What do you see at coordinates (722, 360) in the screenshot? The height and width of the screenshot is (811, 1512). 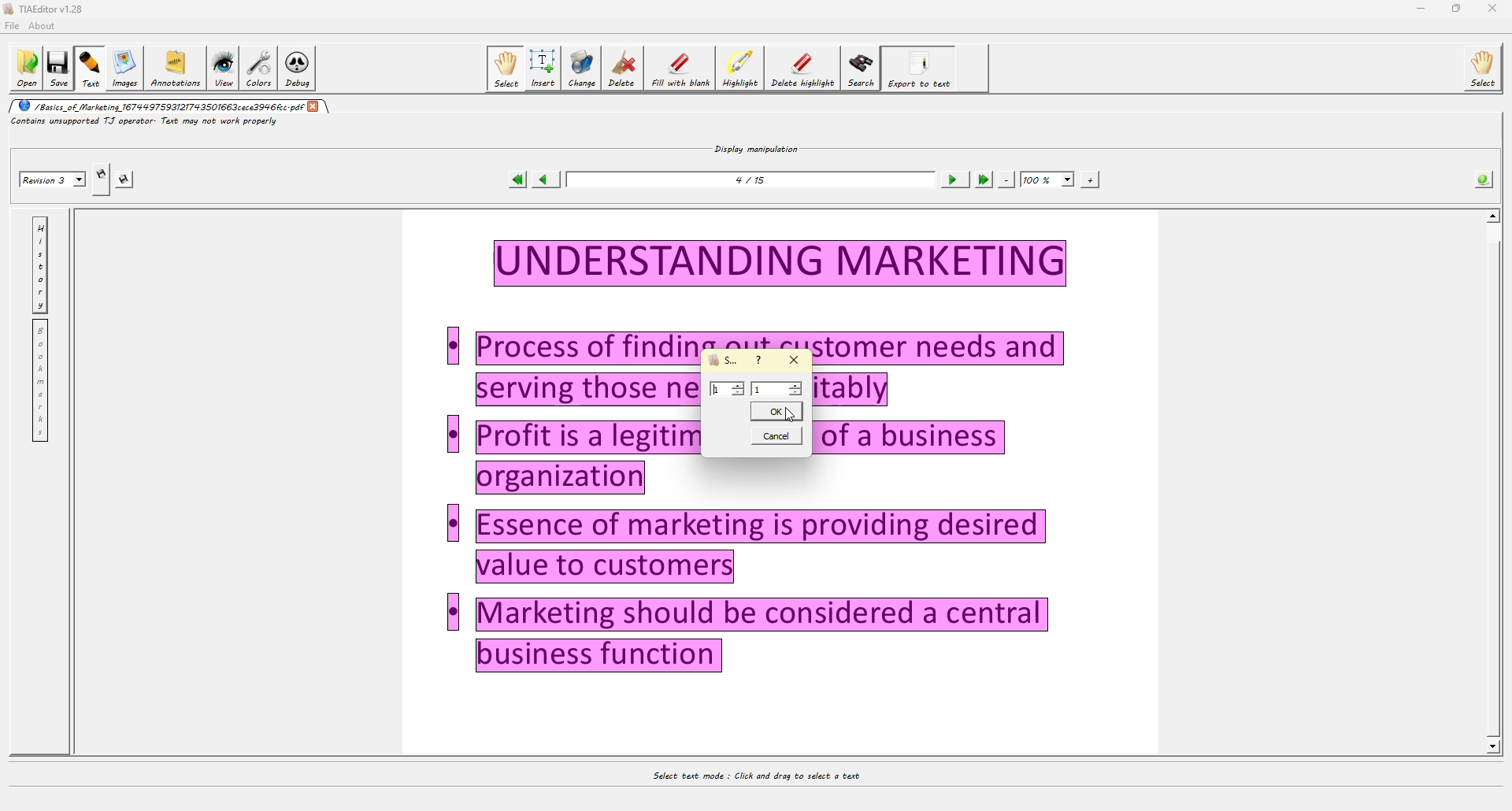 I see `select` at bounding box center [722, 360].